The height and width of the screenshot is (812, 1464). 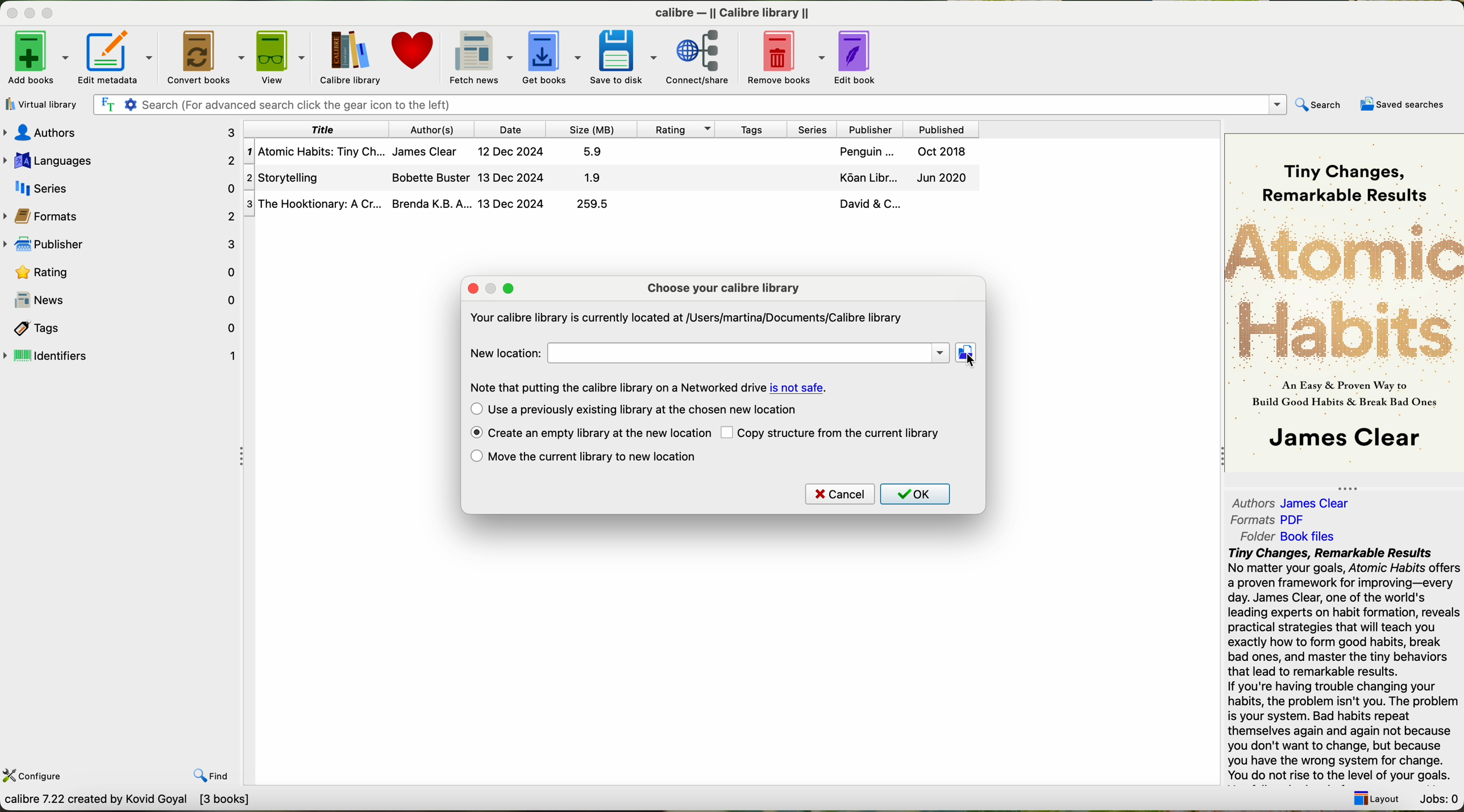 What do you see at coordinates (860, 55) in the screenshot?
I see `edit book` at bounding box center [860, 55].